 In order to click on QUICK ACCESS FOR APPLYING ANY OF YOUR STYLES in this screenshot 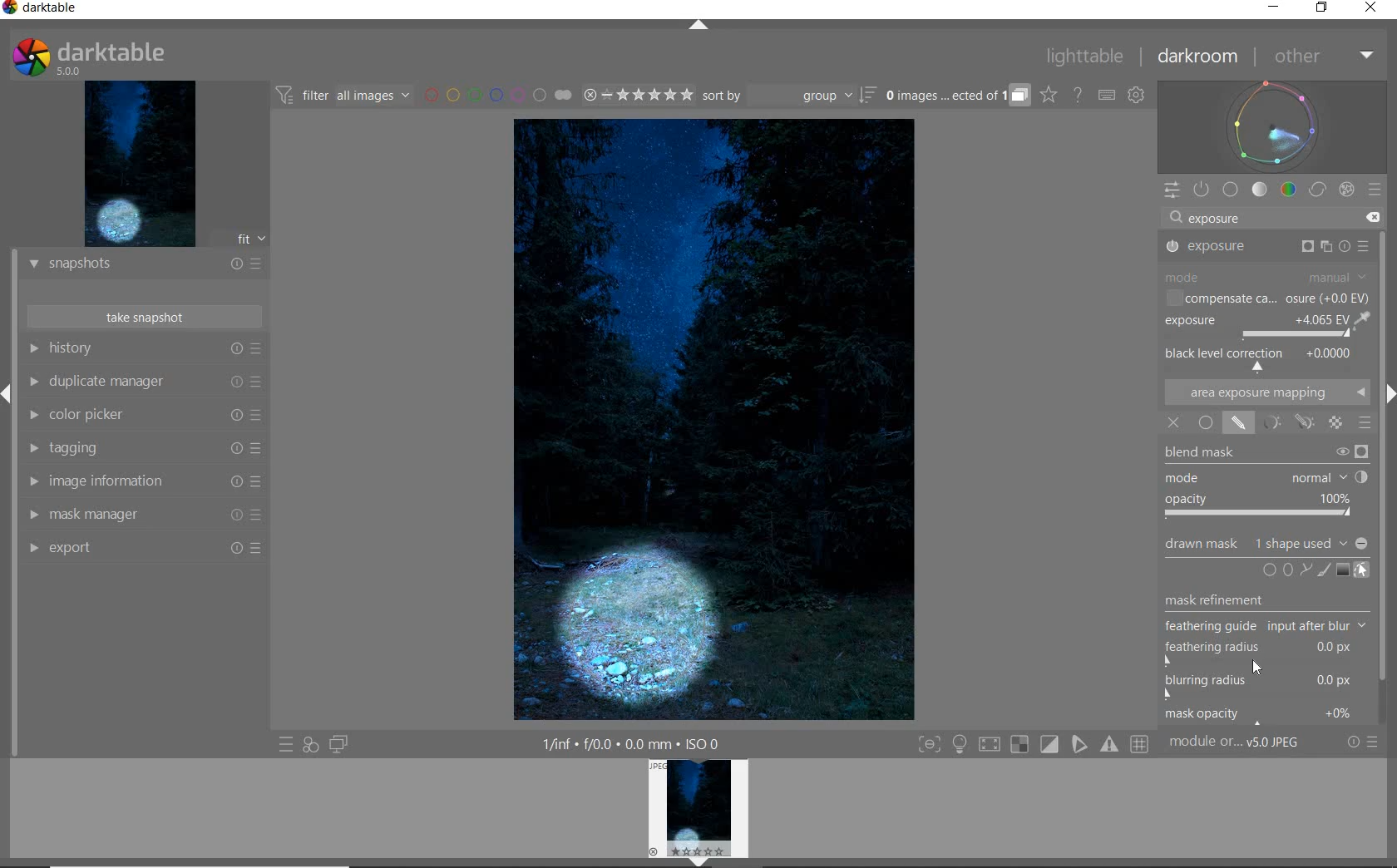, I will do `click(309, 746)`.